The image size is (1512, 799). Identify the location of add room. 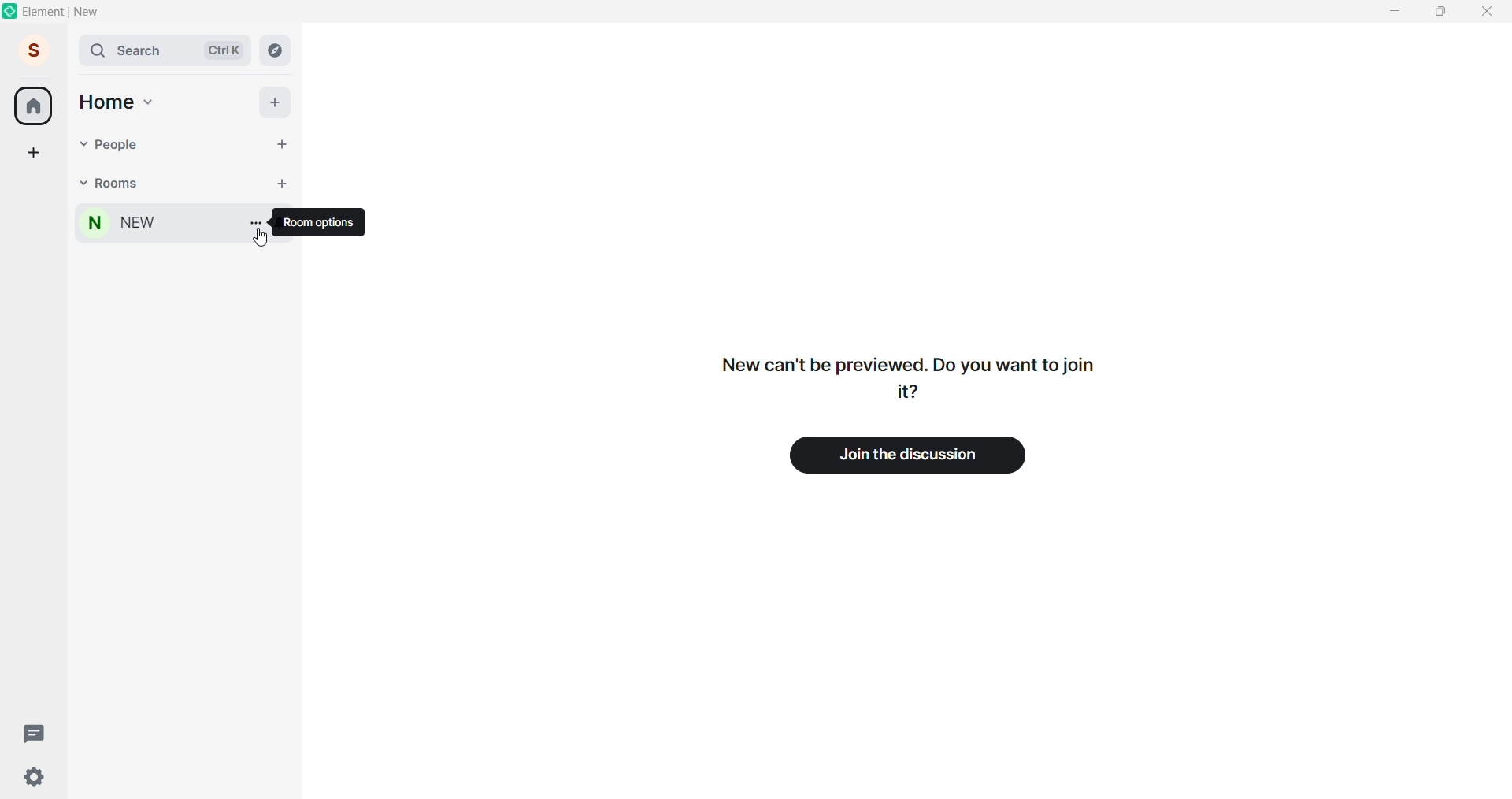
(278, 180).